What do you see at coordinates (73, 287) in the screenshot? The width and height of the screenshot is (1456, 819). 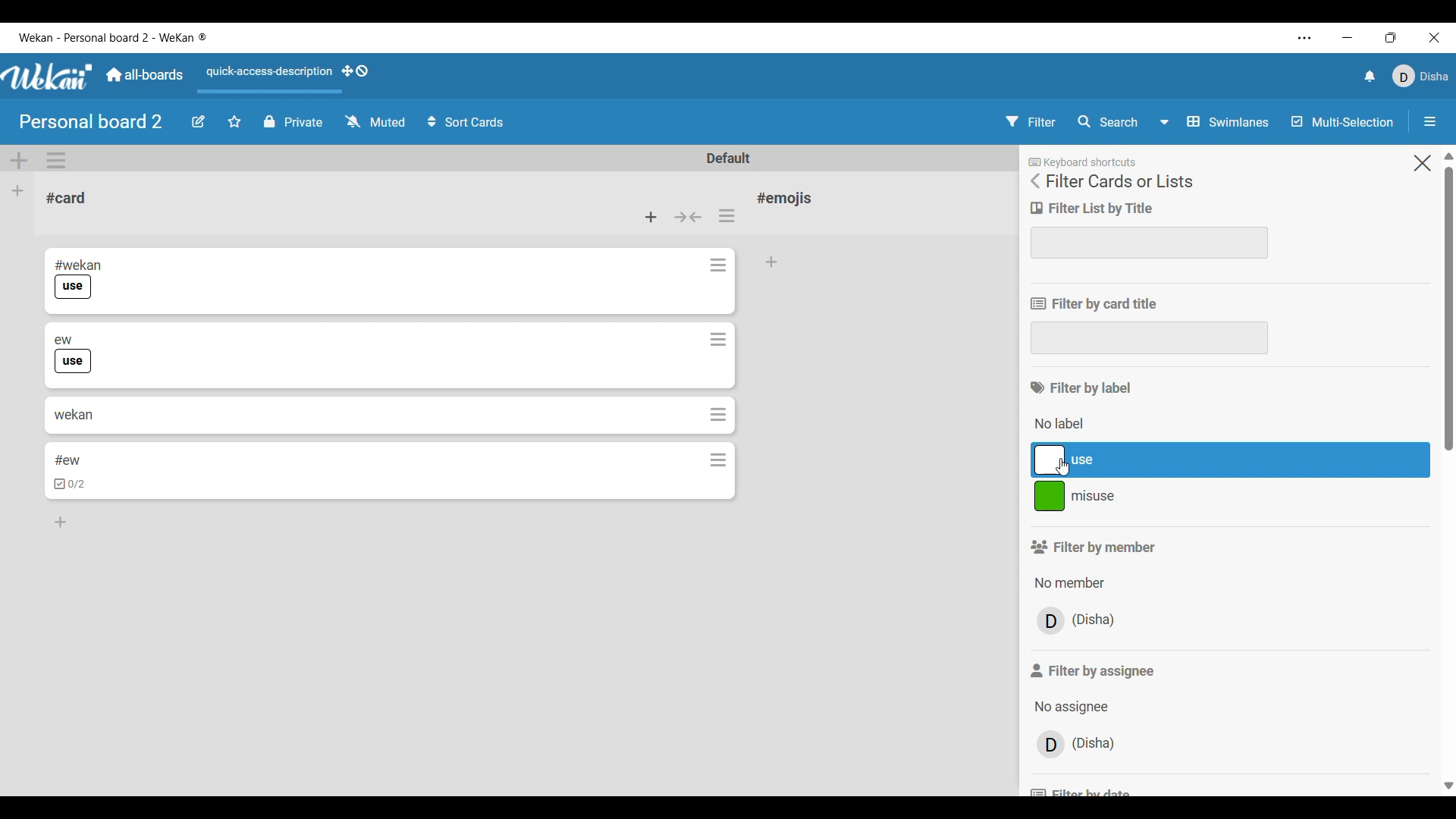 I see `use` at bounding box center [73, 287].